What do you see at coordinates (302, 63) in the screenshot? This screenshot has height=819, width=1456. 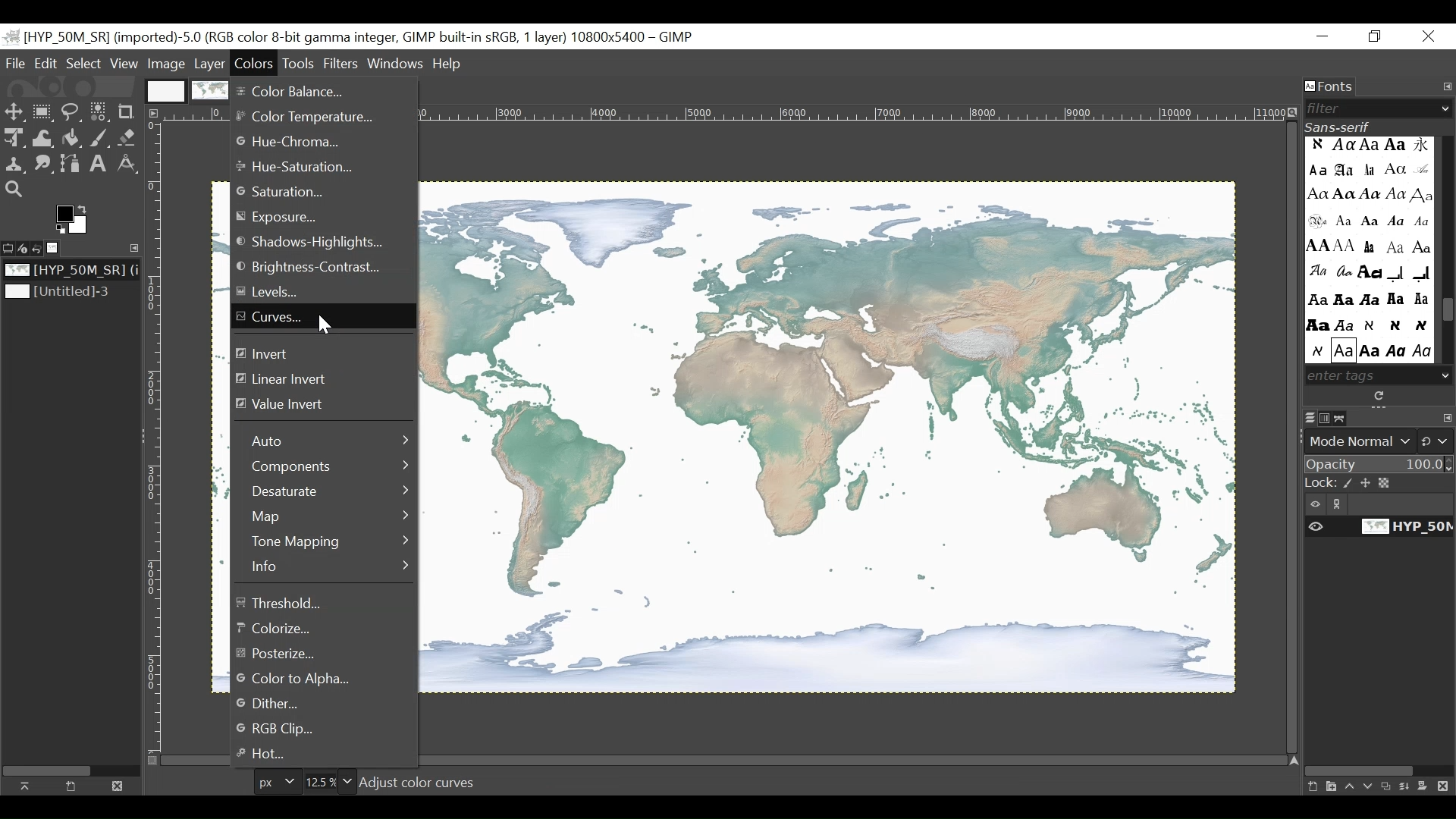 I see `Tools` at bounding box center [302, 63].